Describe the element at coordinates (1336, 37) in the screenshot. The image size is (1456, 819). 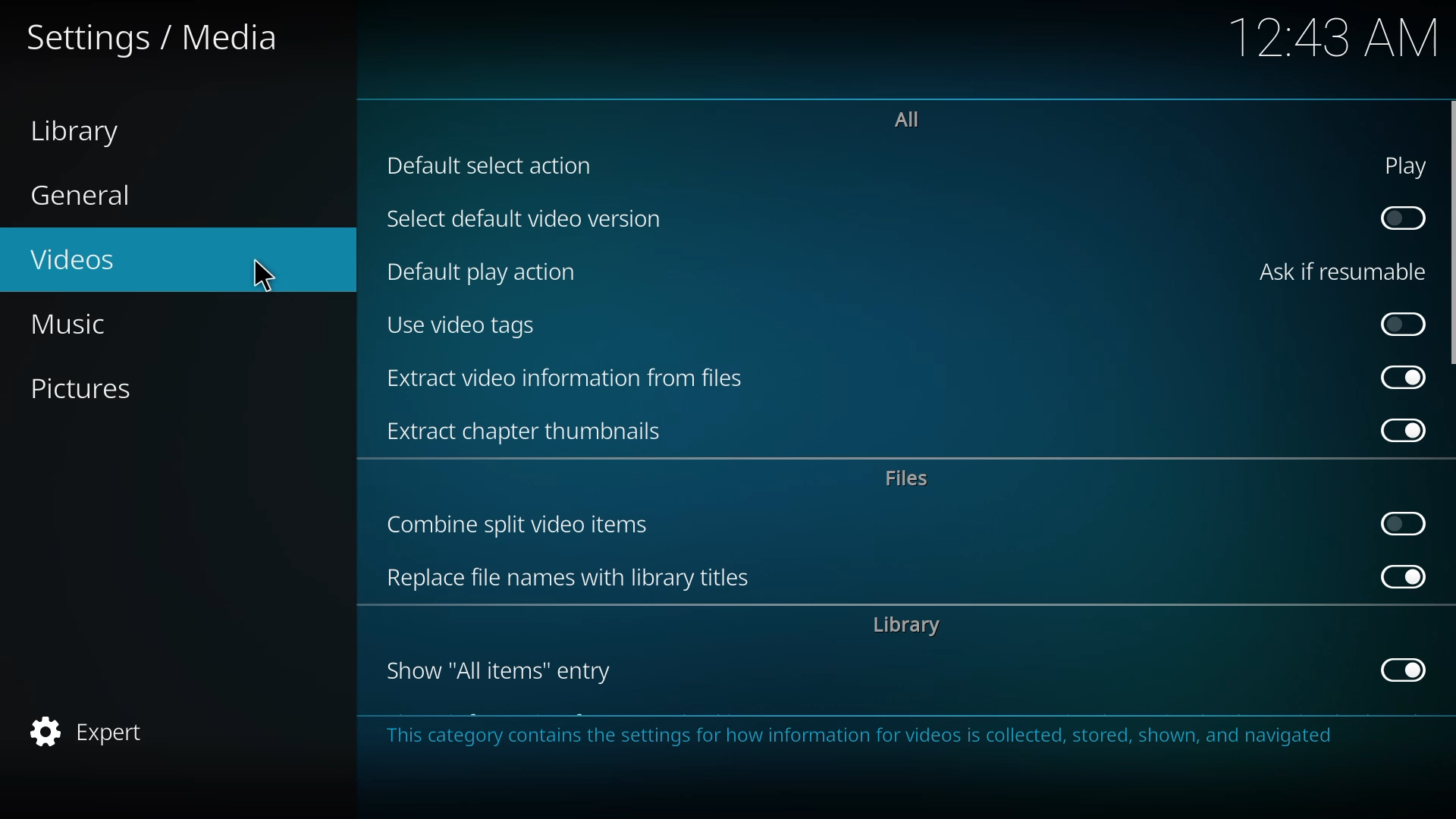
I see `time` at that location.